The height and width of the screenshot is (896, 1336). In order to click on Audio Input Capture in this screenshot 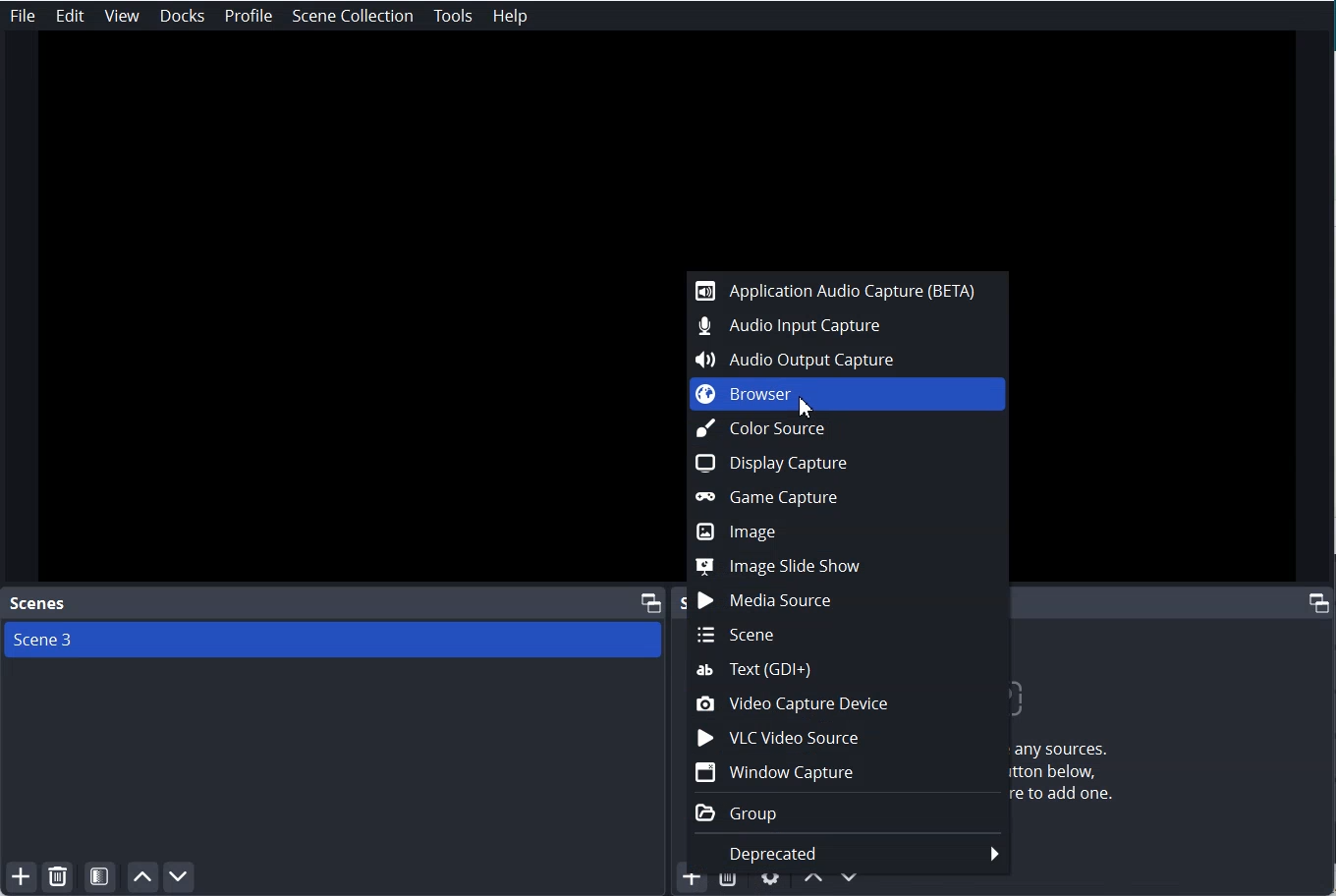, I will do `click(849, 326)`.